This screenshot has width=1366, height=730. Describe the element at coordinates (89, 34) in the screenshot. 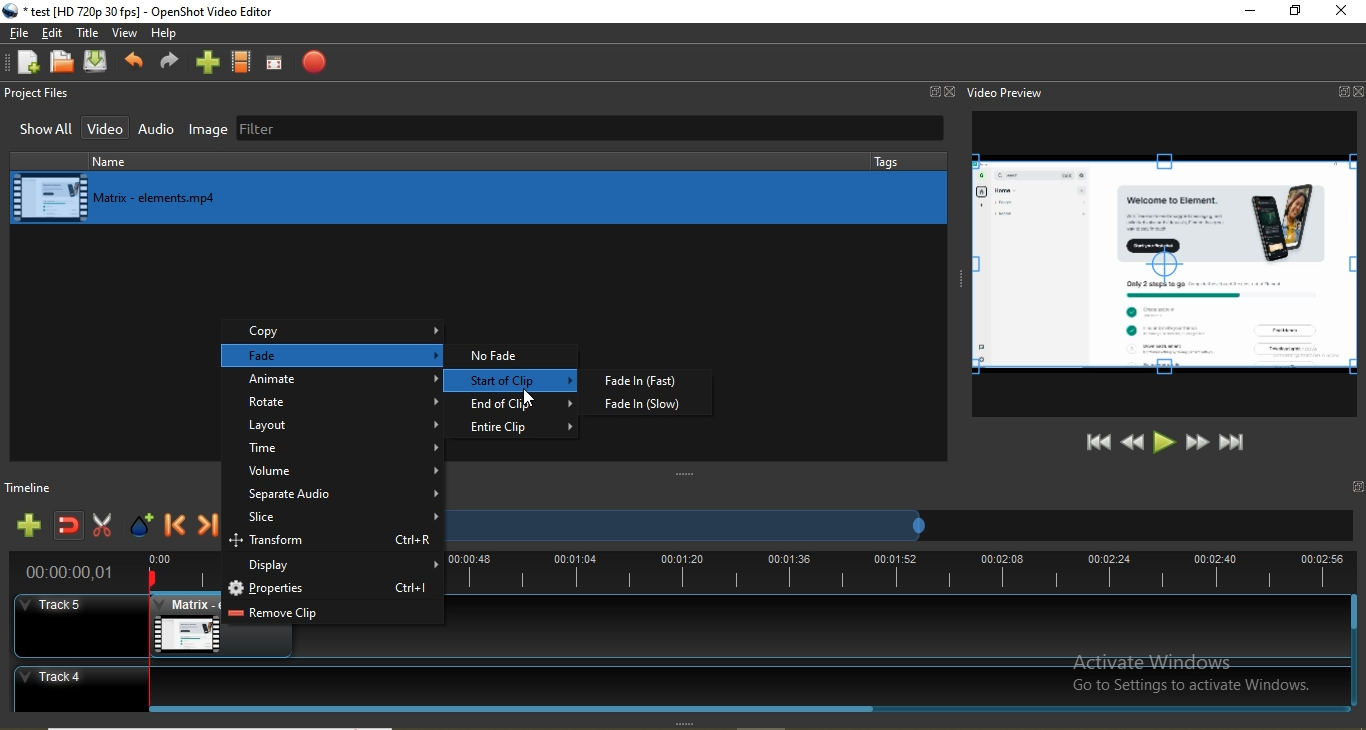

I see `Title` at that location.